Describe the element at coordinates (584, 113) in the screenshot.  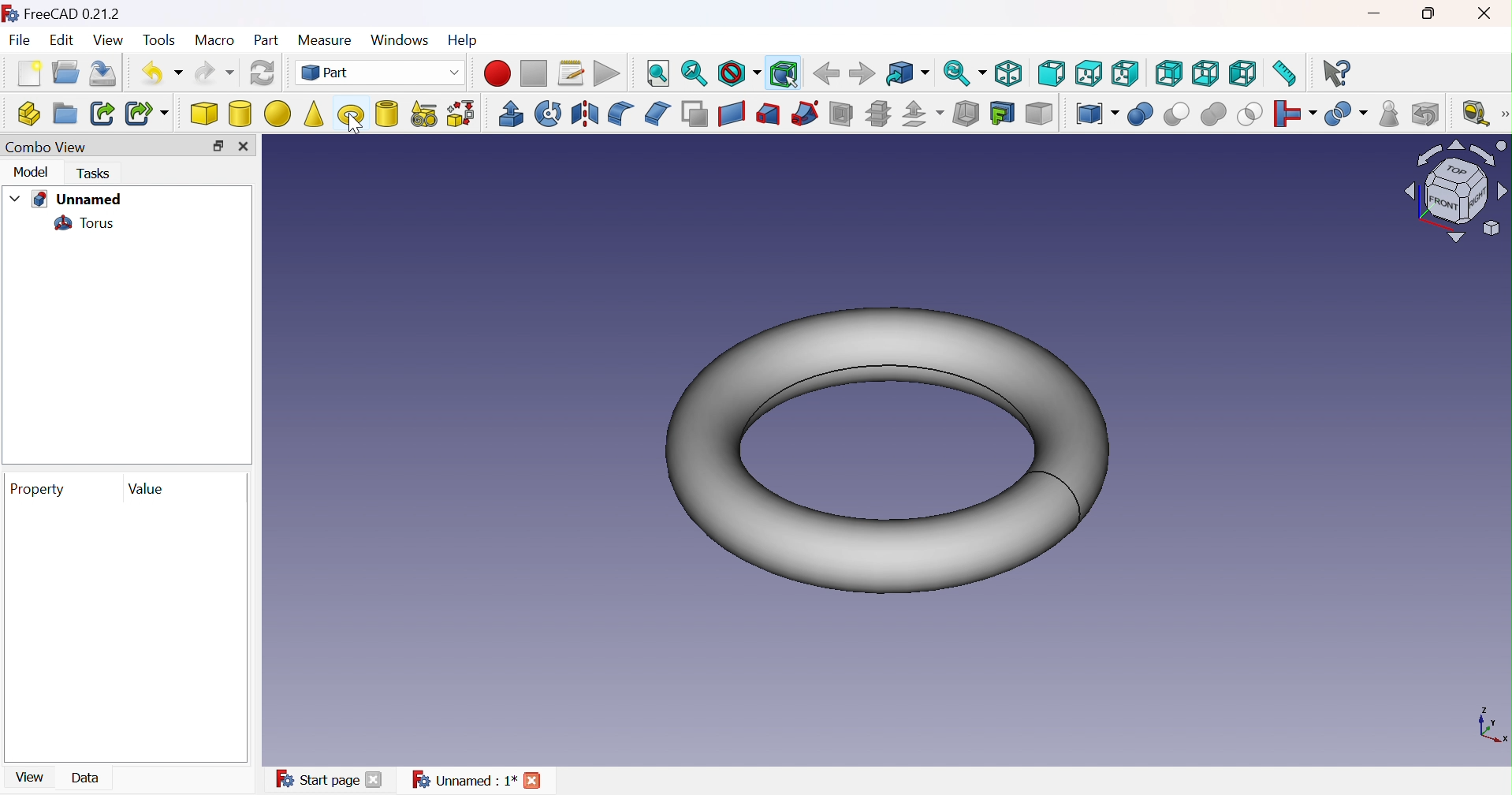
I see `Mirroring` at that location.